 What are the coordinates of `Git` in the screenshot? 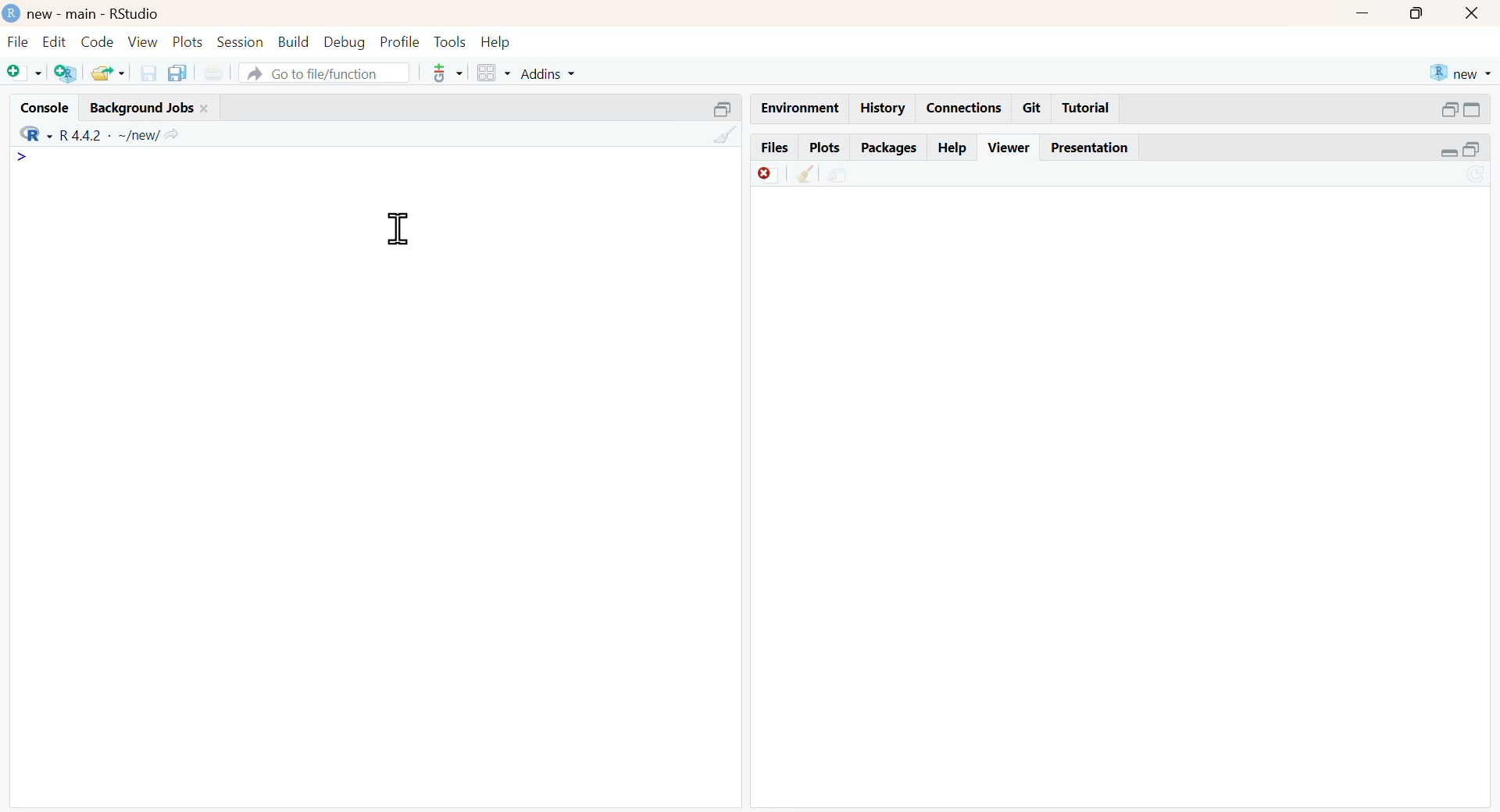 It's located at (1033, 107).